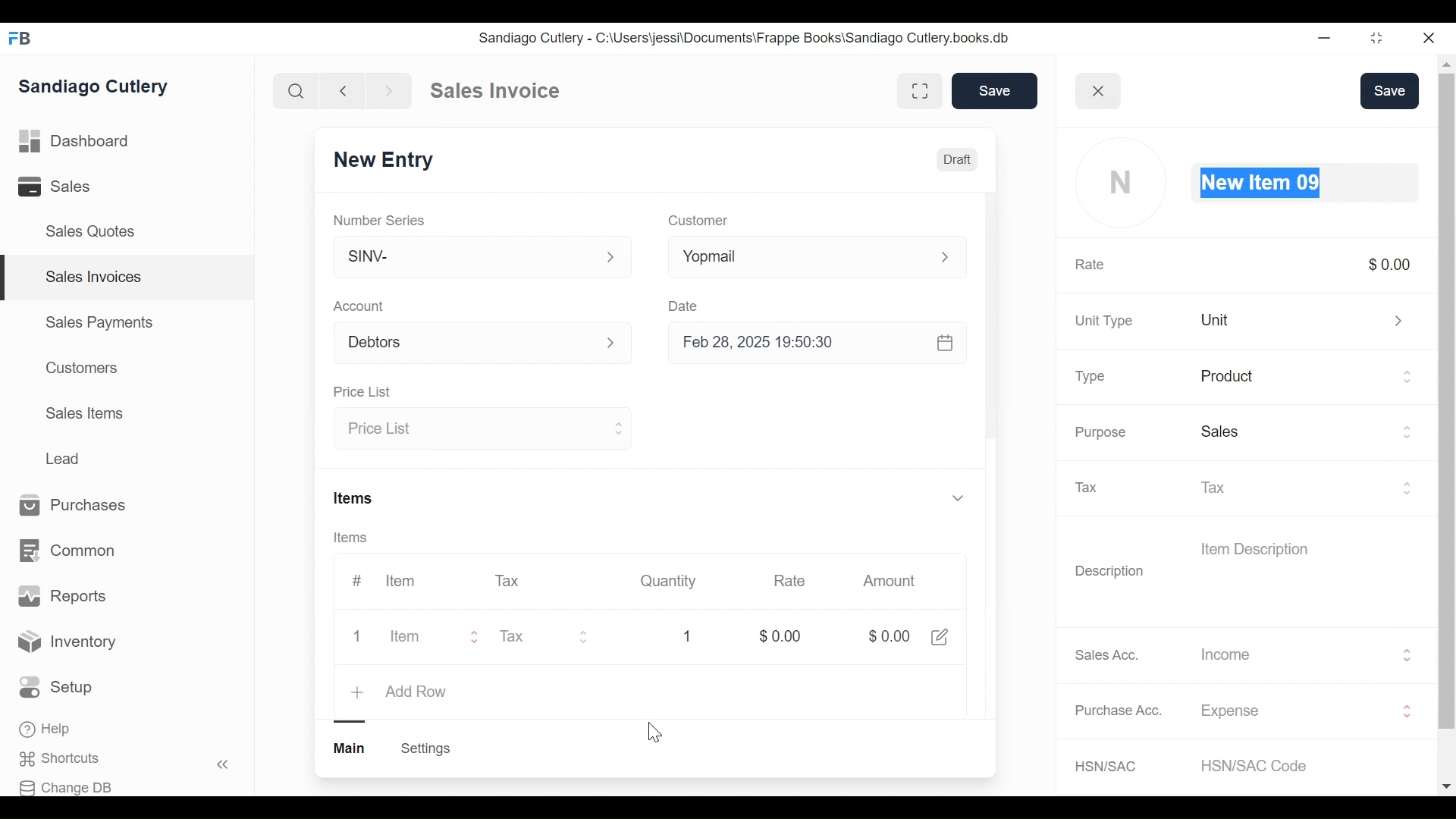 The image size is (1456, 819). I want to click on Save, so click(1390, 91).